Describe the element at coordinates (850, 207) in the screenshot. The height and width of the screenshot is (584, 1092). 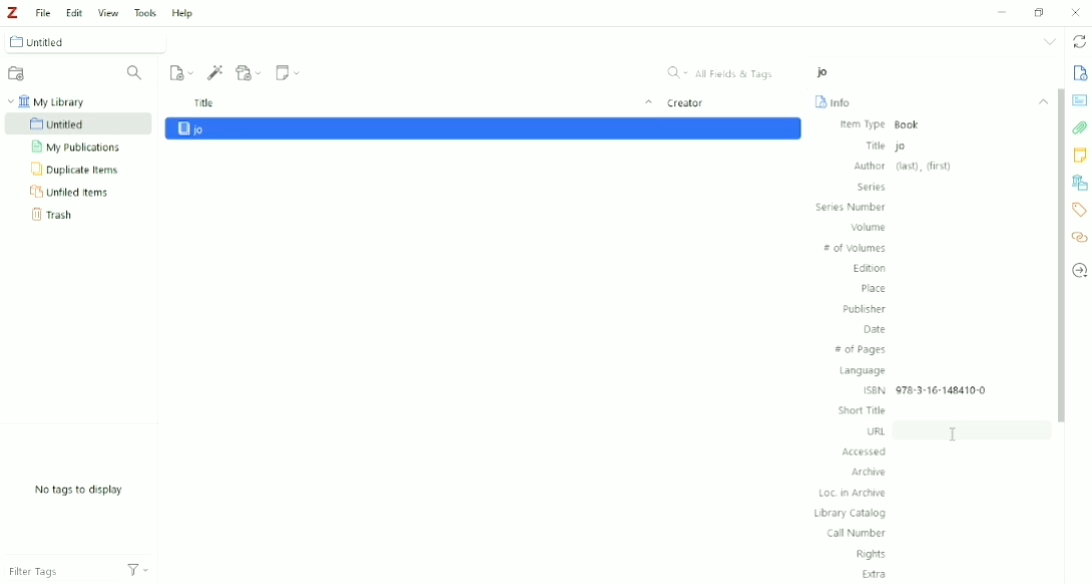
I see `Series Number` at that location.